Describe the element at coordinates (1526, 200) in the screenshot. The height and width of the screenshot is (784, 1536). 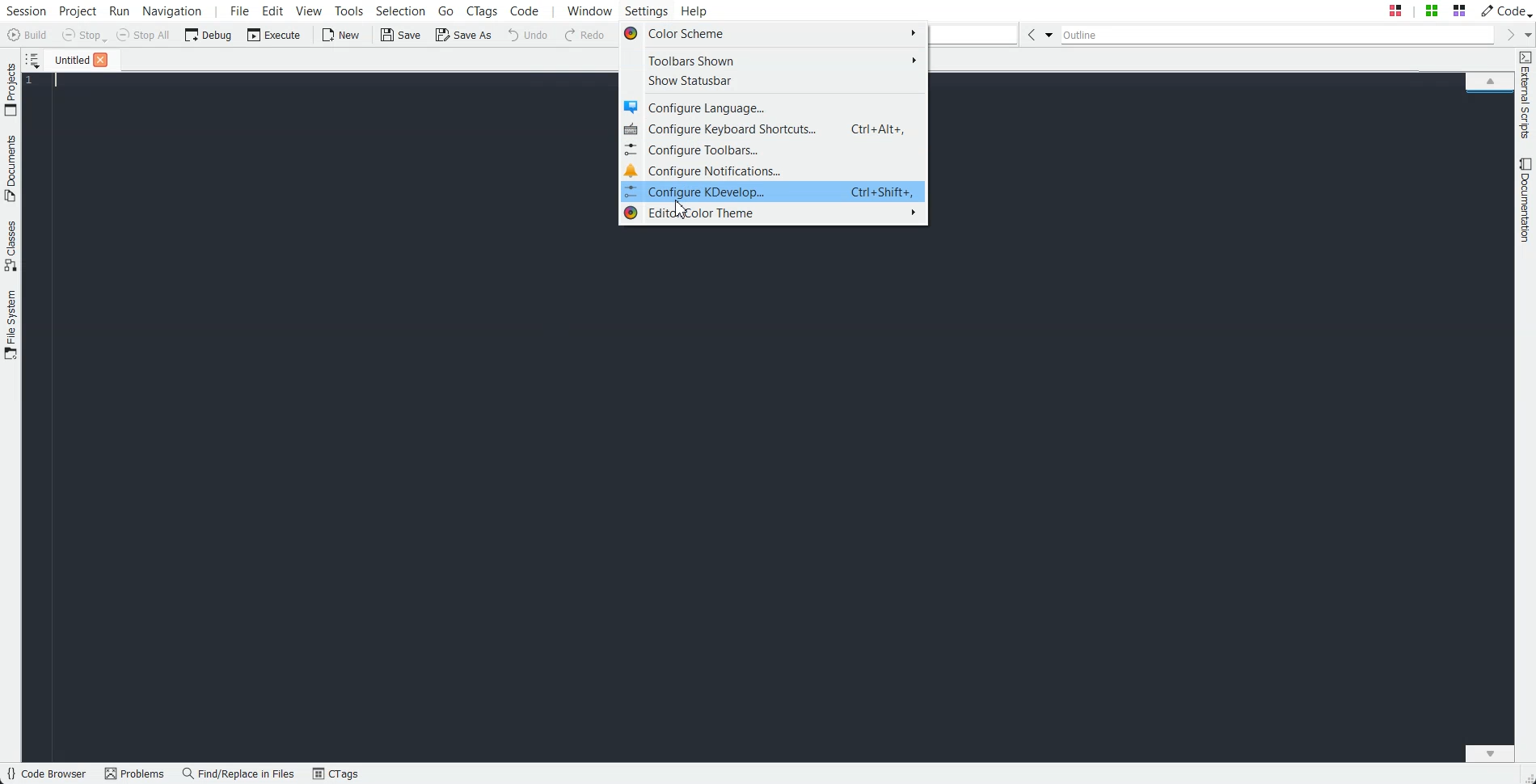
I see `Documentation` at that location.